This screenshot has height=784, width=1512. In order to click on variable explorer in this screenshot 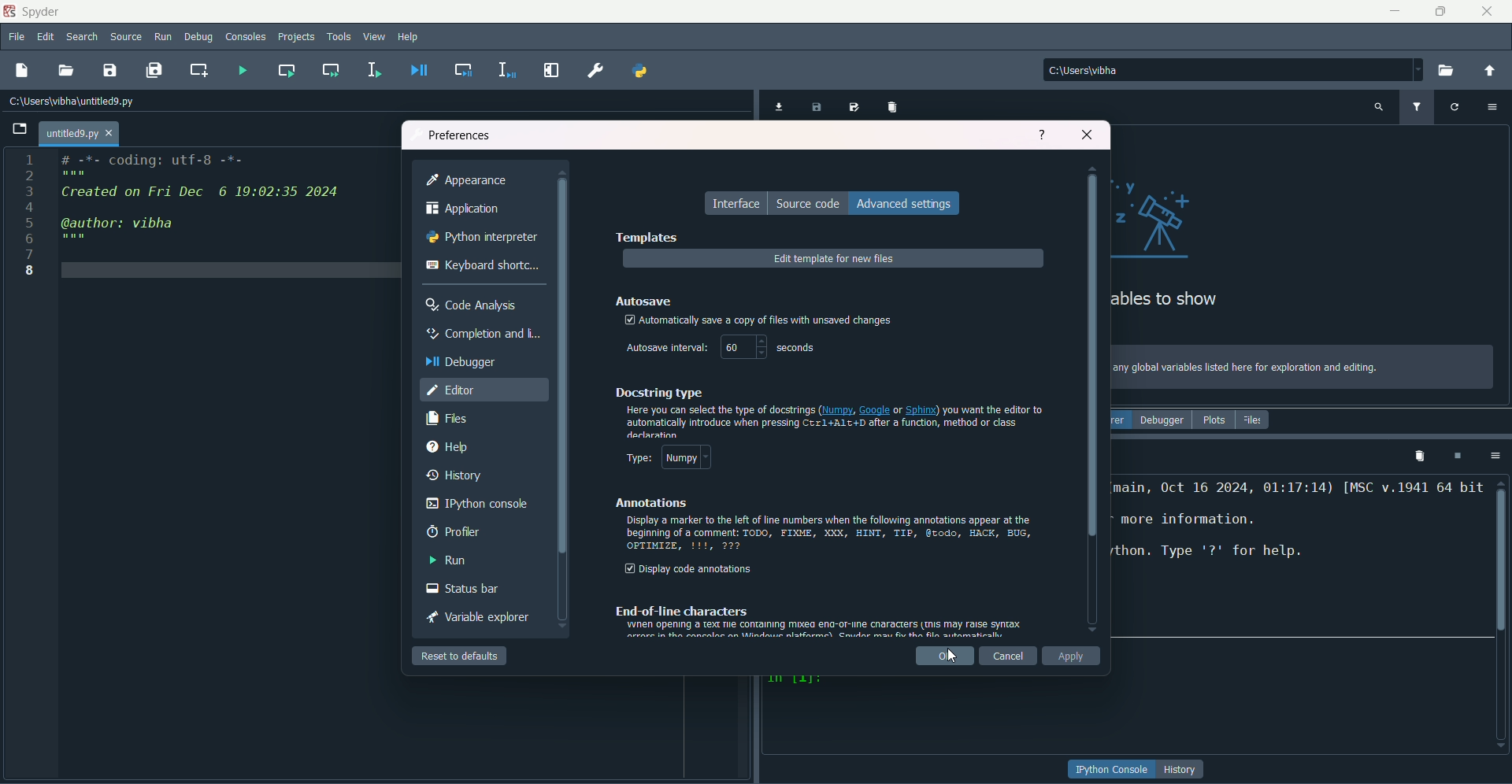, I will do `click(476, 618)`.